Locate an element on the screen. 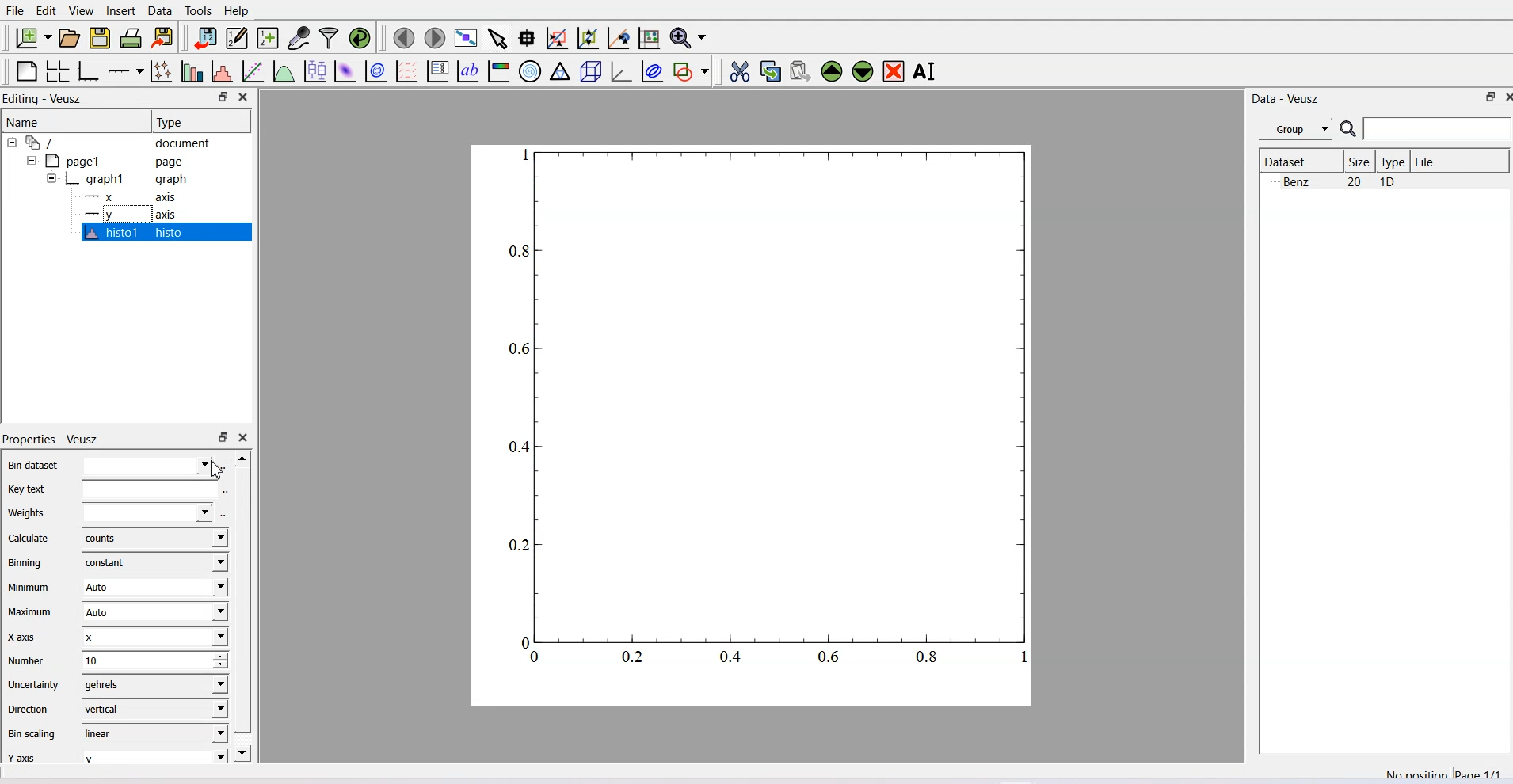 This screenshot has height=784, width=1513. Collapse is located at coordinates (48, 178).